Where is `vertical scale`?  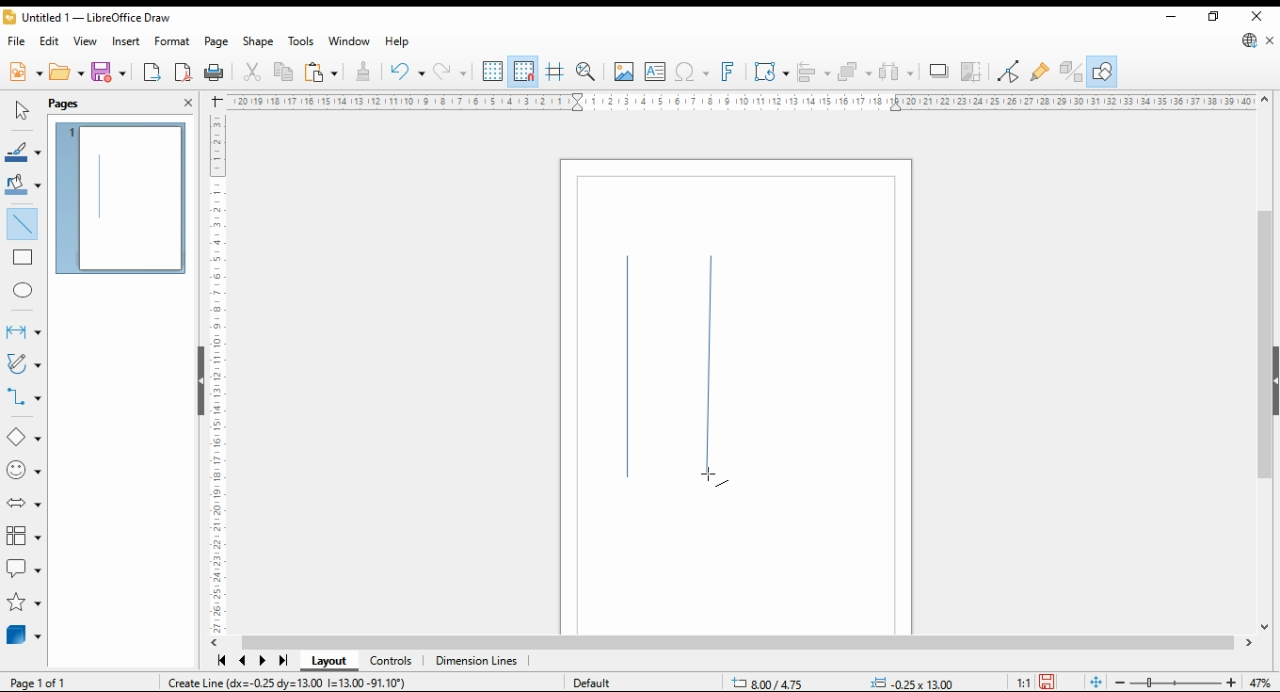 vertical scale is located at coordinates (219, 369).